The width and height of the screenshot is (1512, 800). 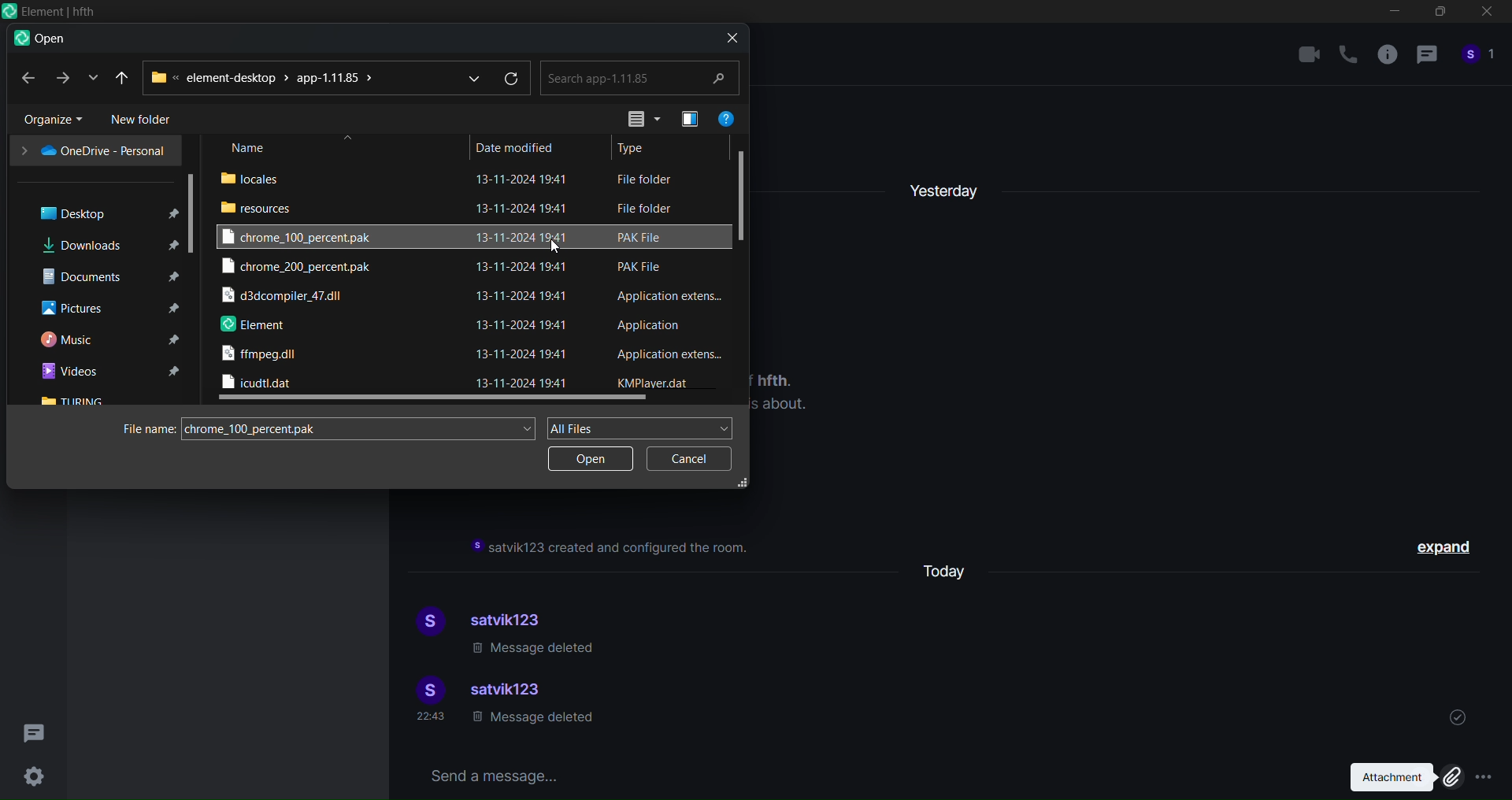 I want to click on maximize, so click(x=1438, y=15).